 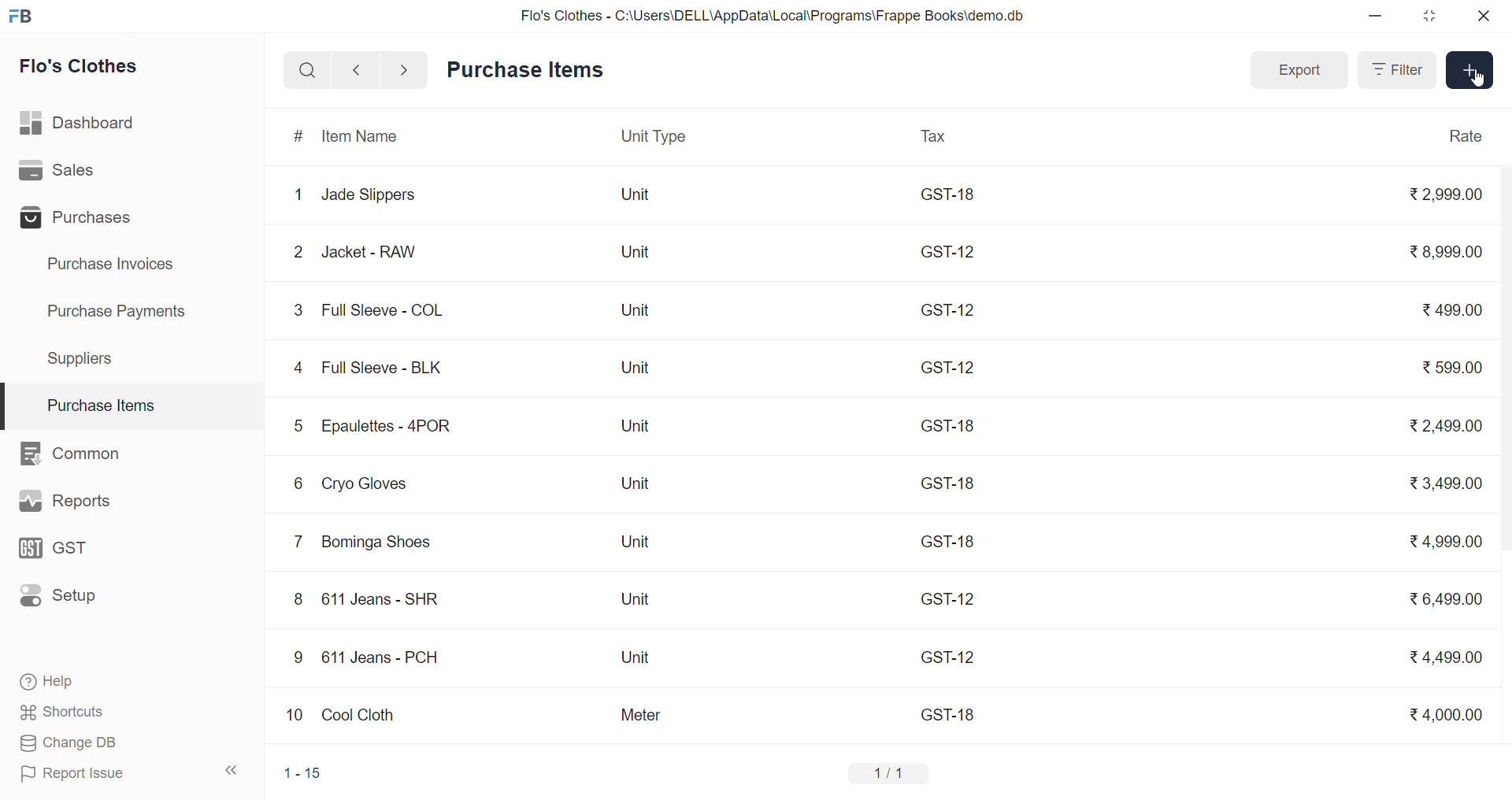 I want to click on GST-18, so click(x=947, y=193).